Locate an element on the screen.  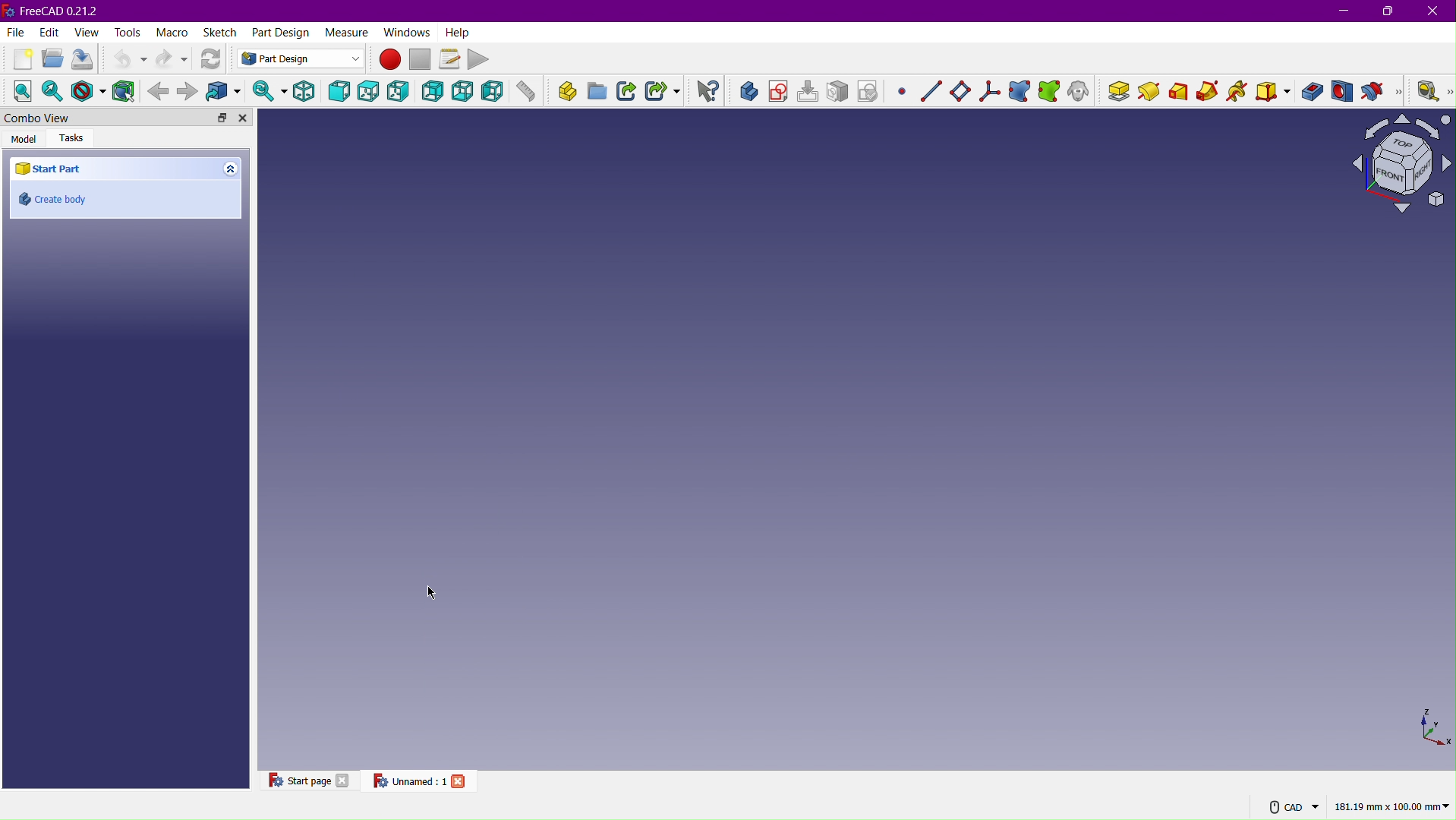
Datum line is located at coordinates (928, 90).